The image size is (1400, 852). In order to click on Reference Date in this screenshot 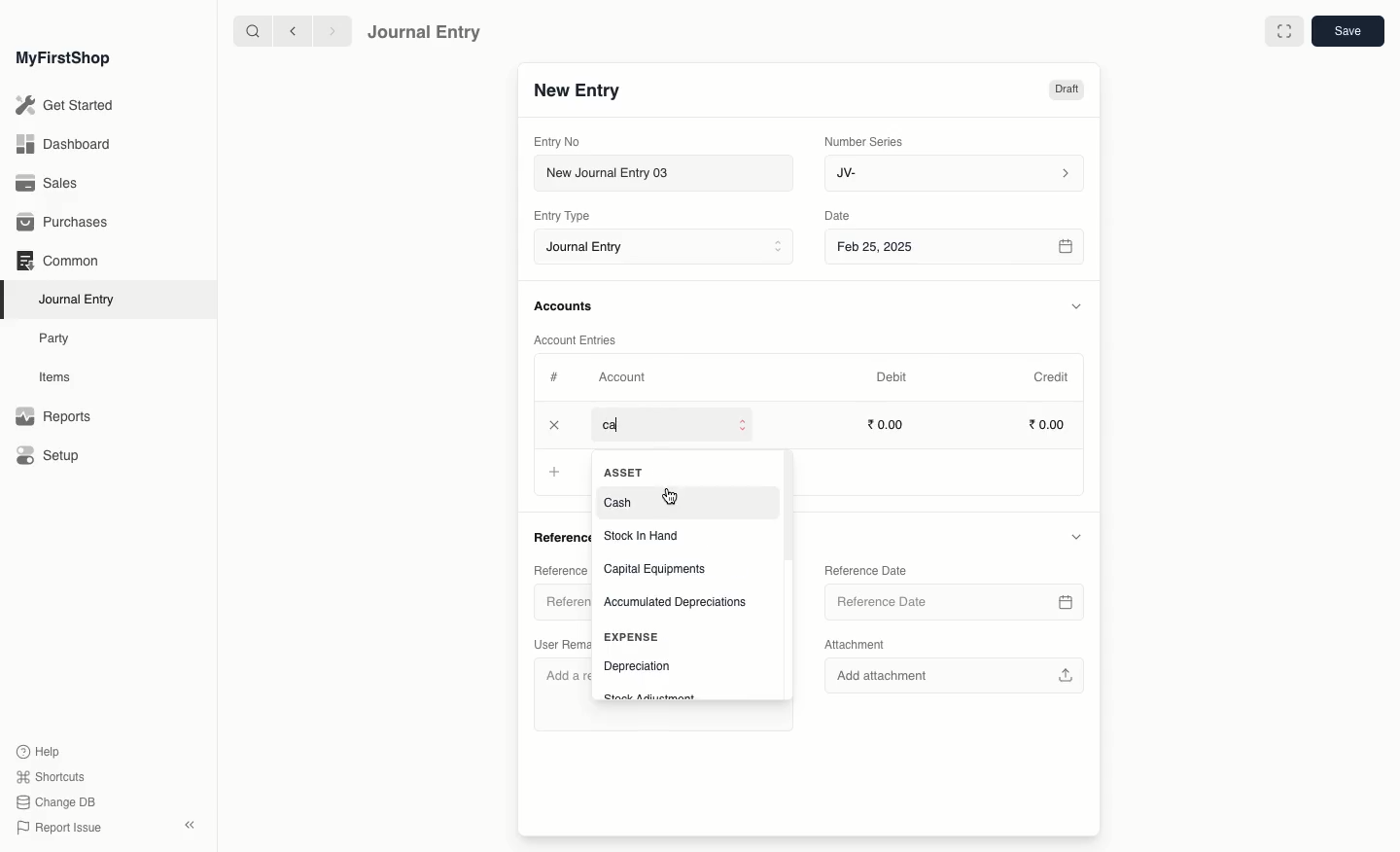, I will do `click(868, 569)`.